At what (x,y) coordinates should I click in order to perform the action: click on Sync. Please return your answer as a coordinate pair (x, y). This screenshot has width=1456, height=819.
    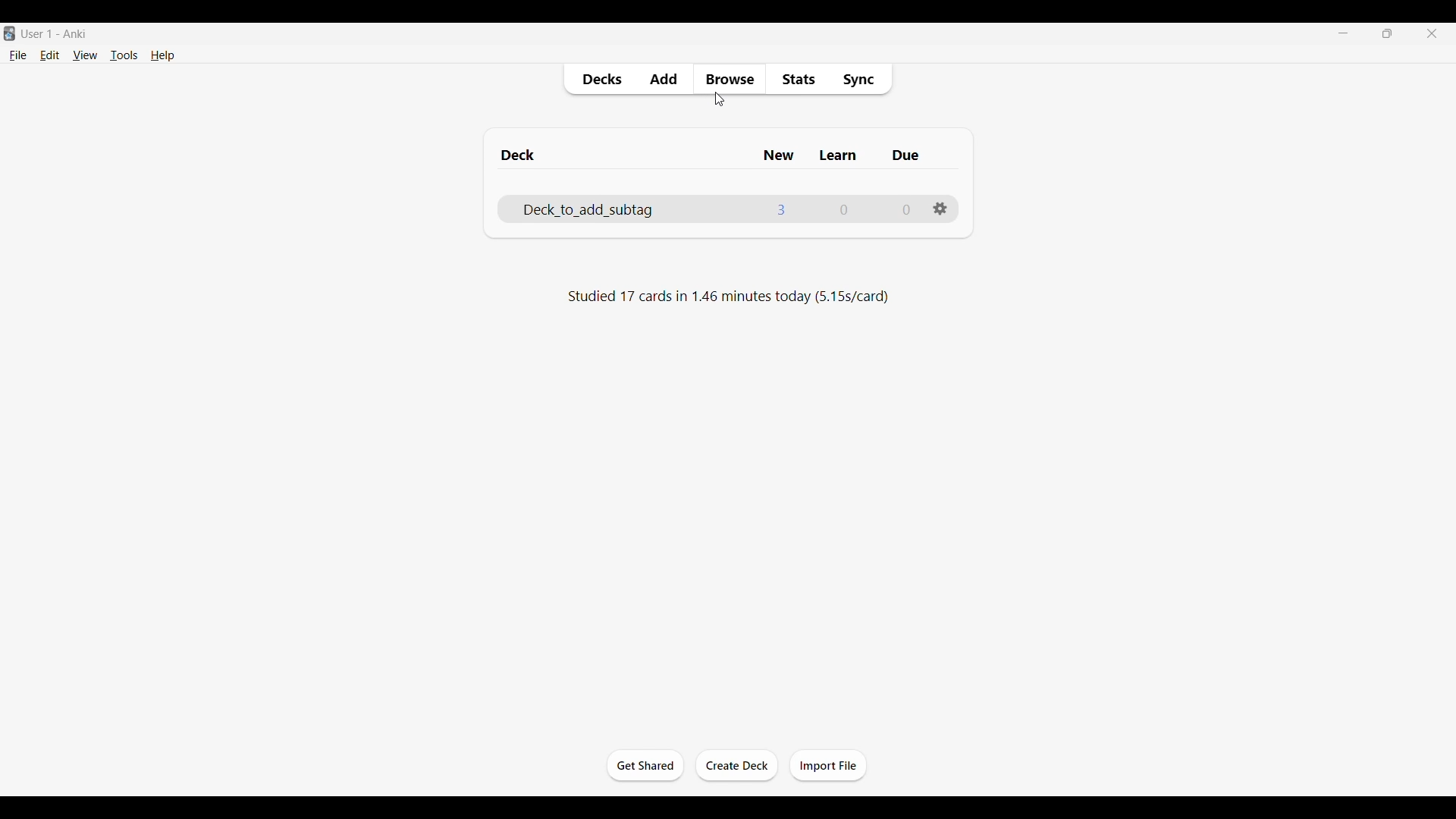
    Looking at the image, I should click on (862, 79).